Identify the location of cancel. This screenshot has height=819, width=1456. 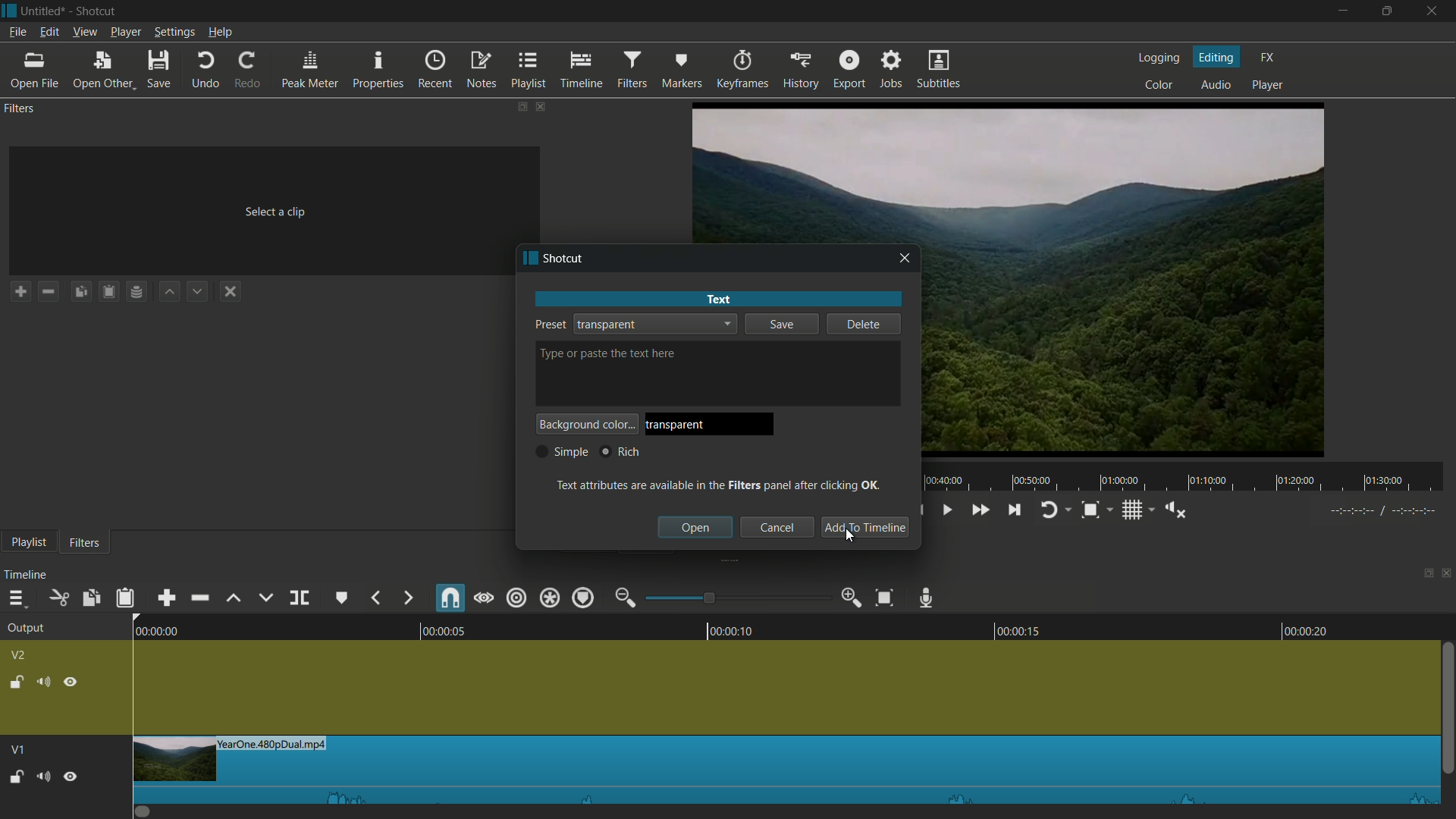
(777, 528).